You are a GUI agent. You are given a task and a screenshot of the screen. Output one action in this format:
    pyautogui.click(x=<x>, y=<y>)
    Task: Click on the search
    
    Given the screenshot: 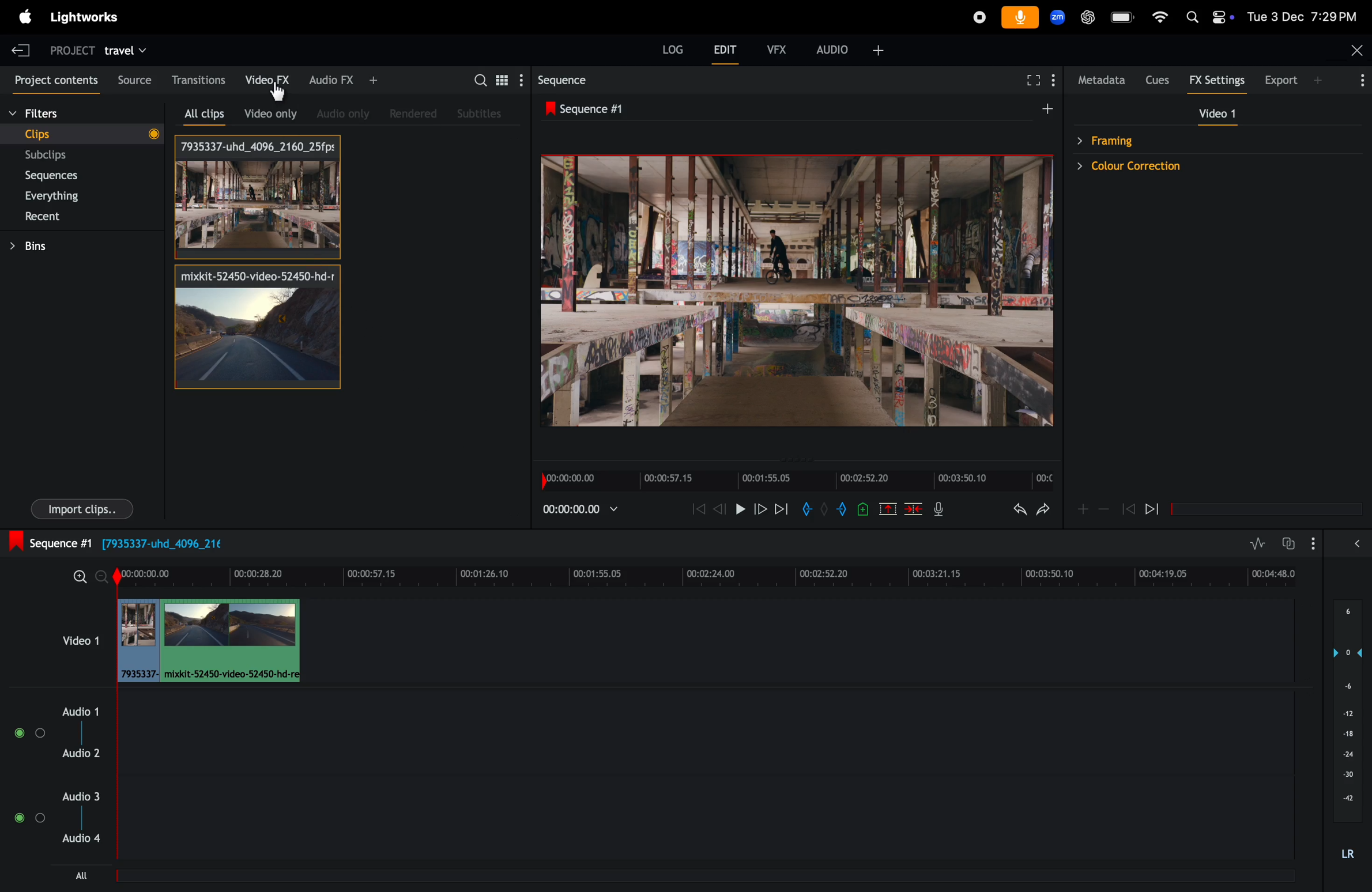 What is the action you would take?
    pyautogui.click(x=478, y=81)
    